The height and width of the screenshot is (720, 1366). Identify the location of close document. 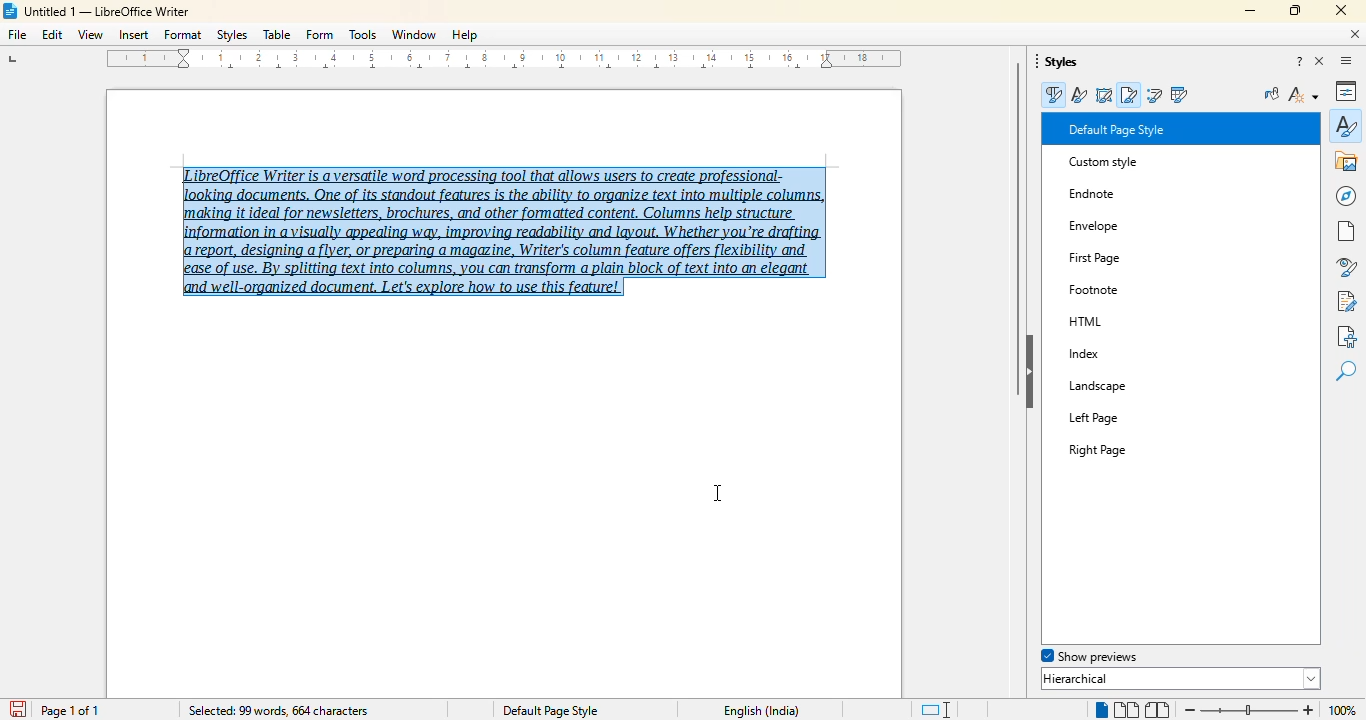
(1356, 34).